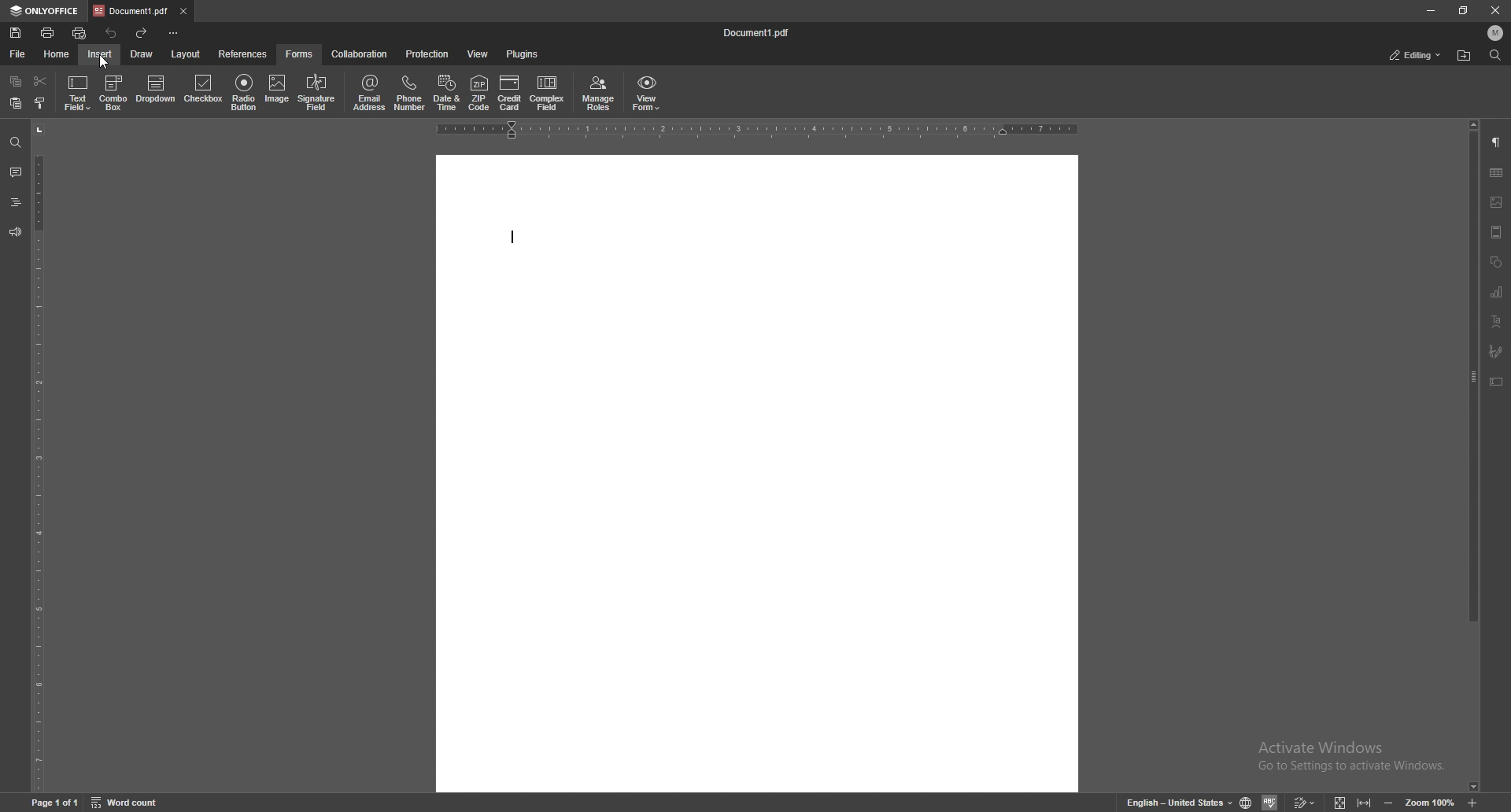  I want to click on text cursor, so click(519, 239).